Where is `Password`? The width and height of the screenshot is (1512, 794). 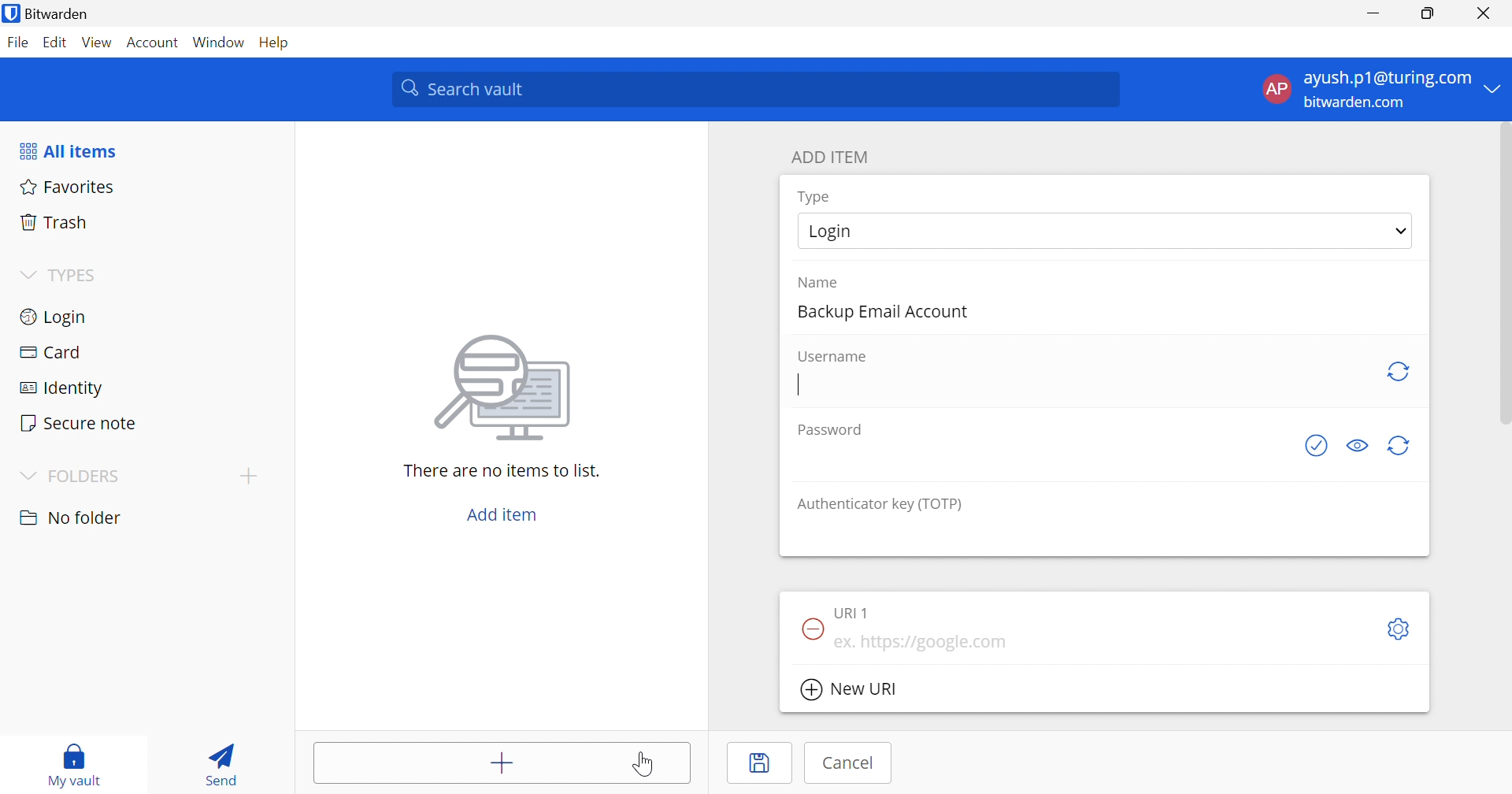
Password is located at coordinates (831, 429).